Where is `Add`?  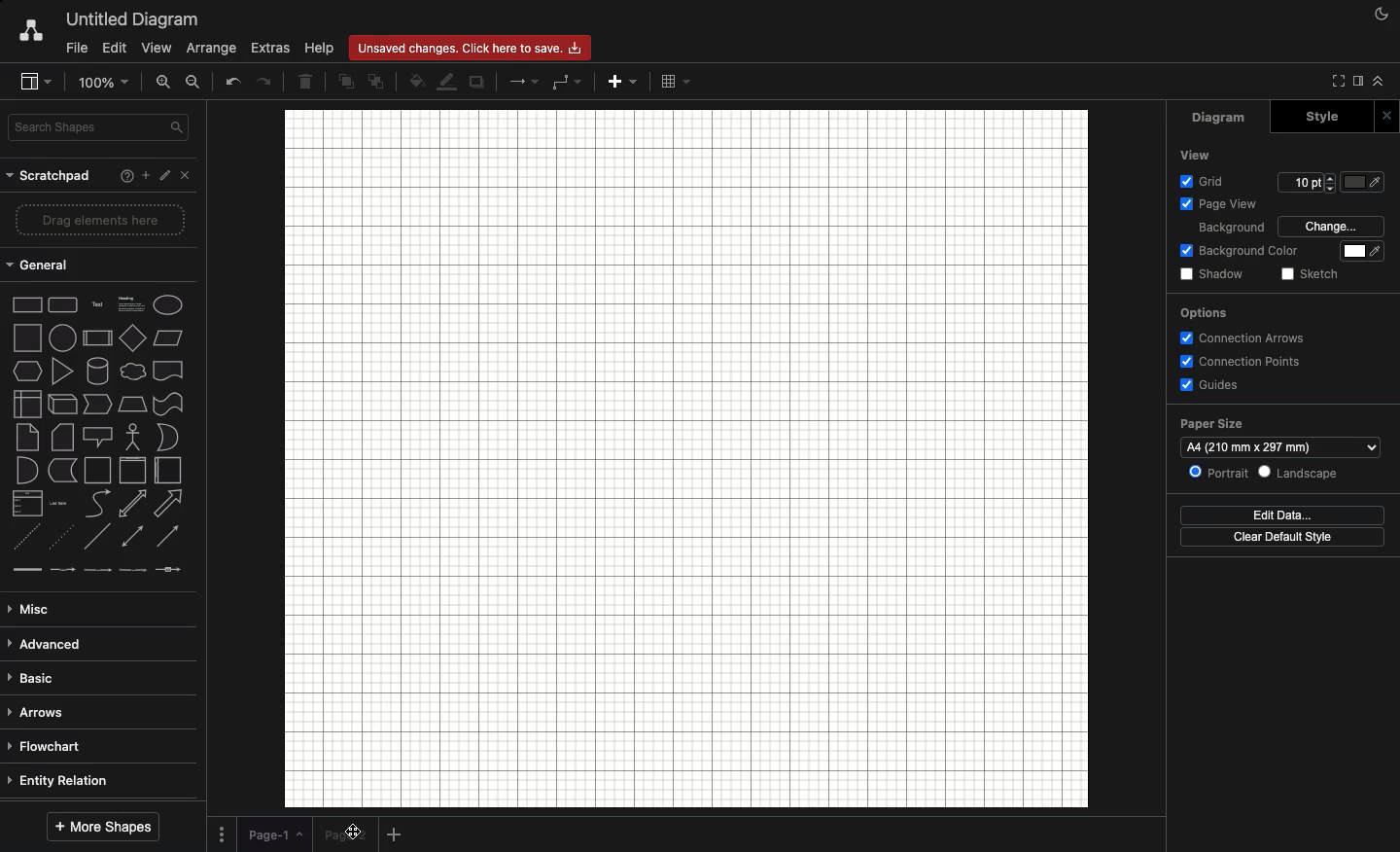
Add is located at coordinates (140, 175).